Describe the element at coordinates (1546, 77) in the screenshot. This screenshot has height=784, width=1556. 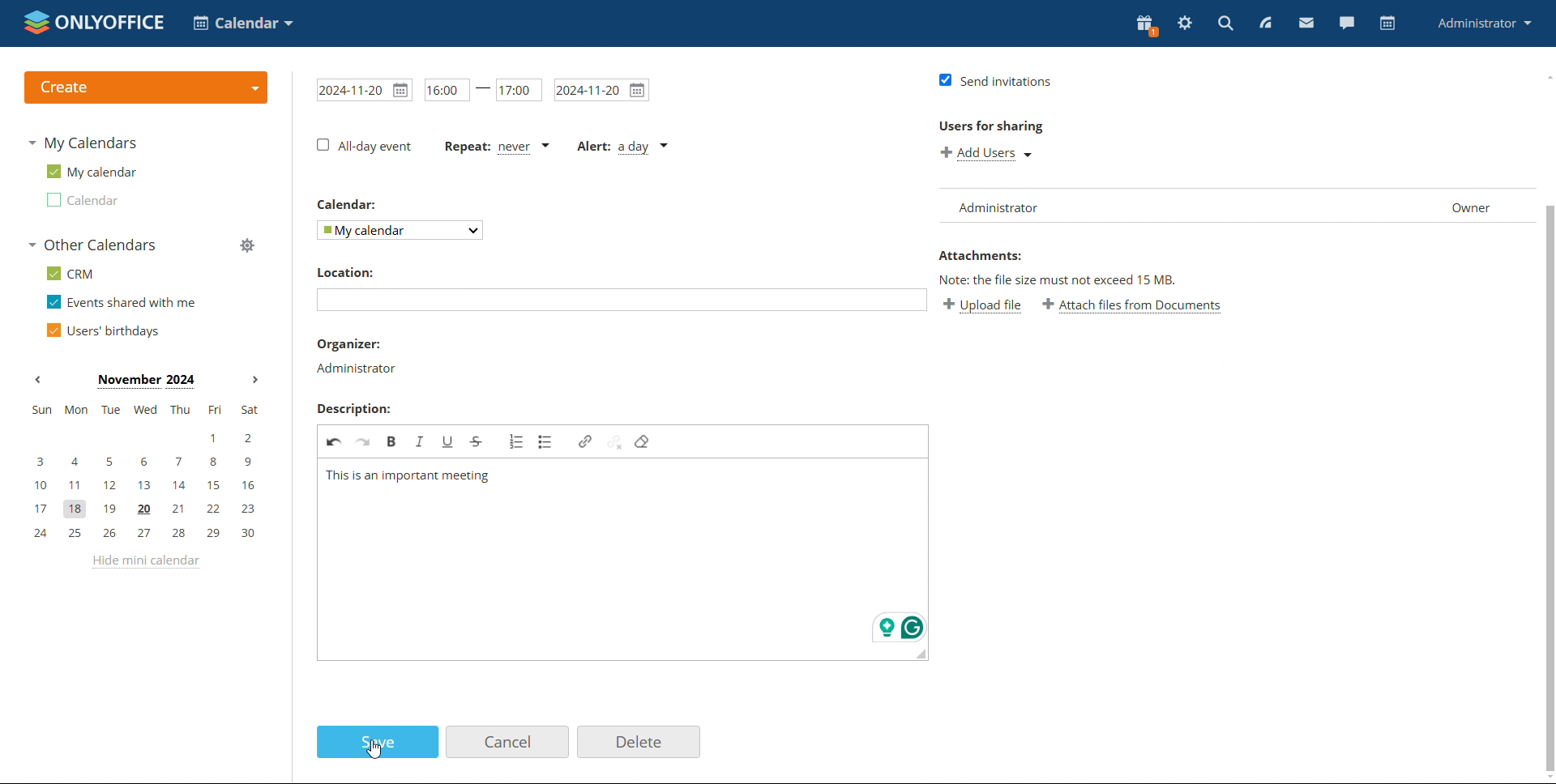
I see `Scroll up` at that location.